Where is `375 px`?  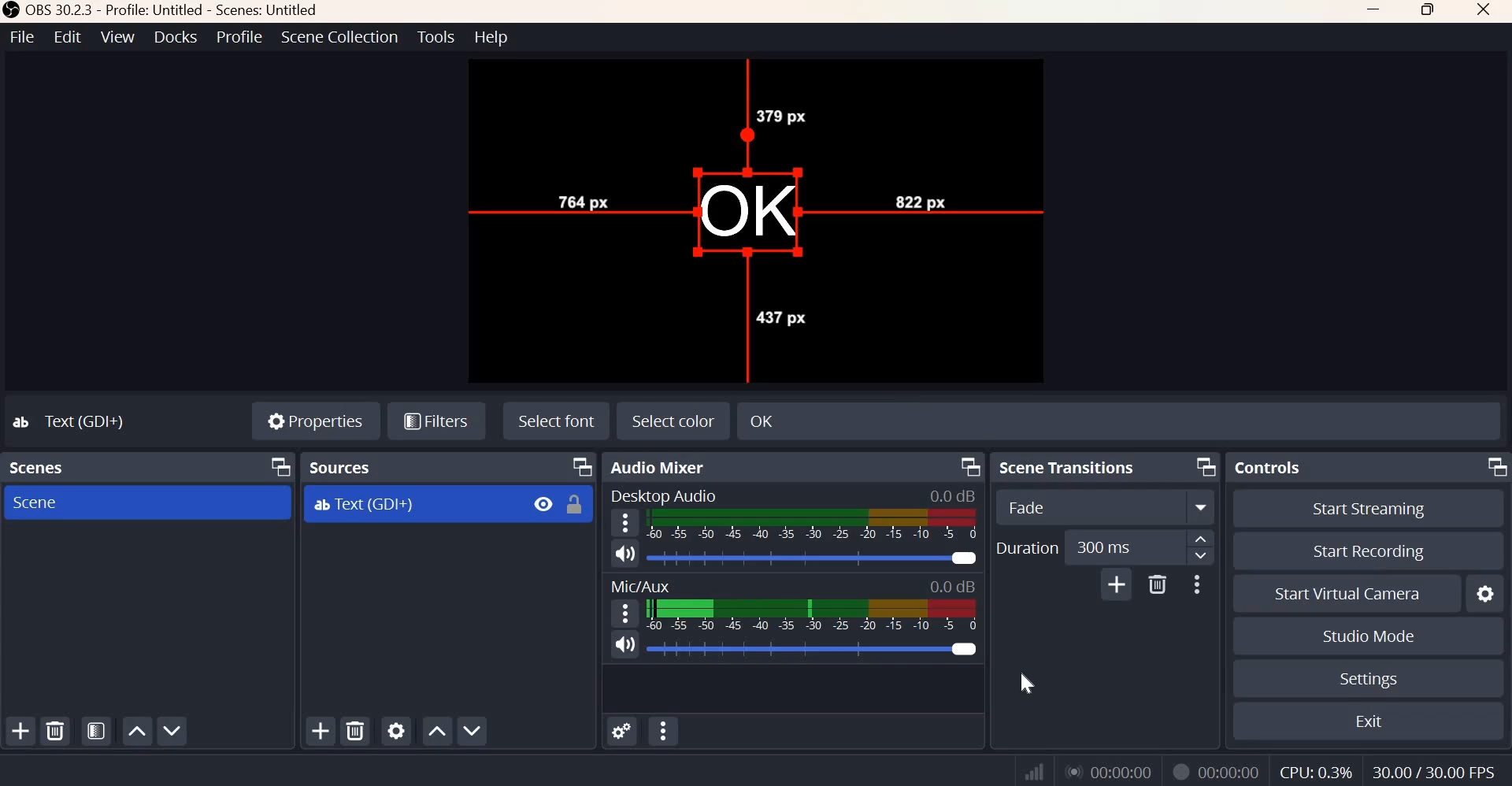
375 px is located at coordinates (781, 116).